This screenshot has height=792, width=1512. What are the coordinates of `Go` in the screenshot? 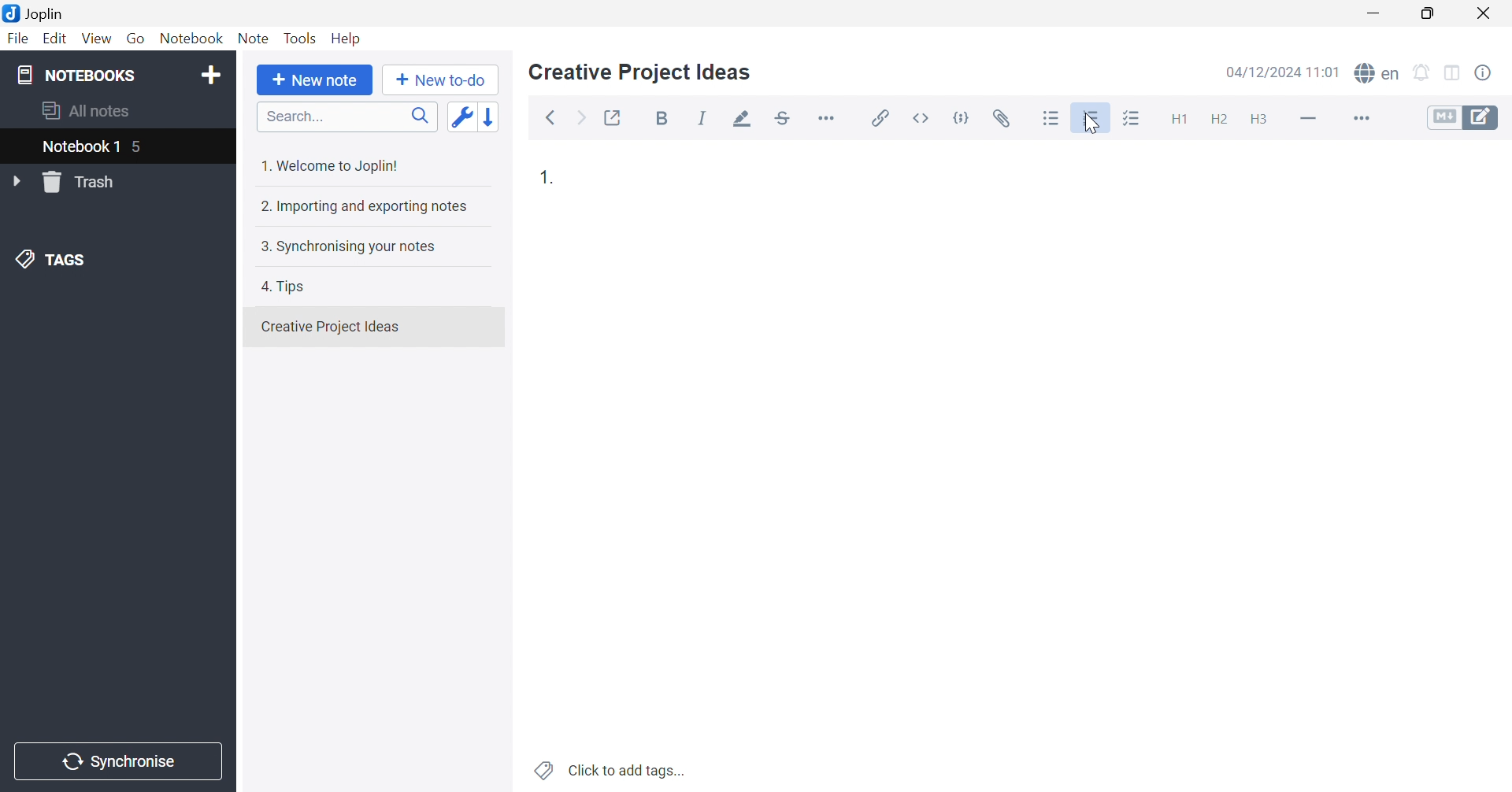 It's located at (138, 38).